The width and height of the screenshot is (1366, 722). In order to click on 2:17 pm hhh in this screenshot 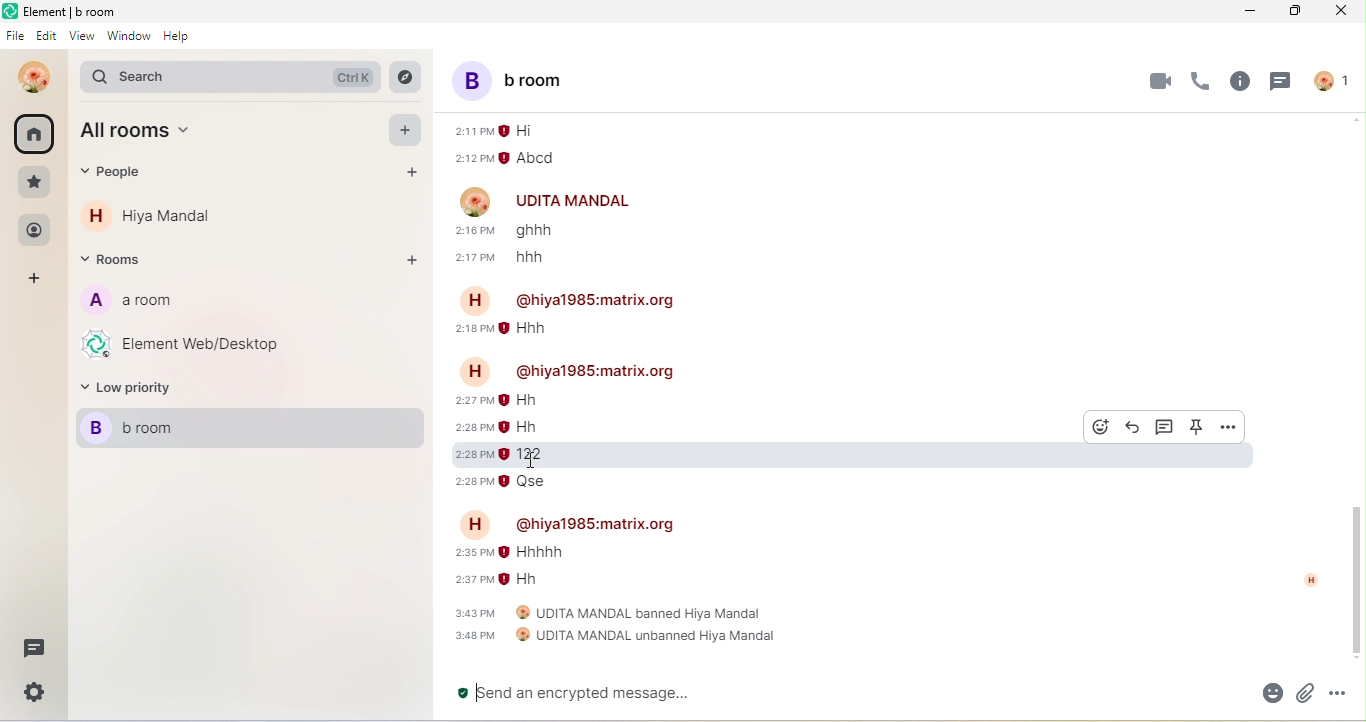, I will do `click(498, 257)`.